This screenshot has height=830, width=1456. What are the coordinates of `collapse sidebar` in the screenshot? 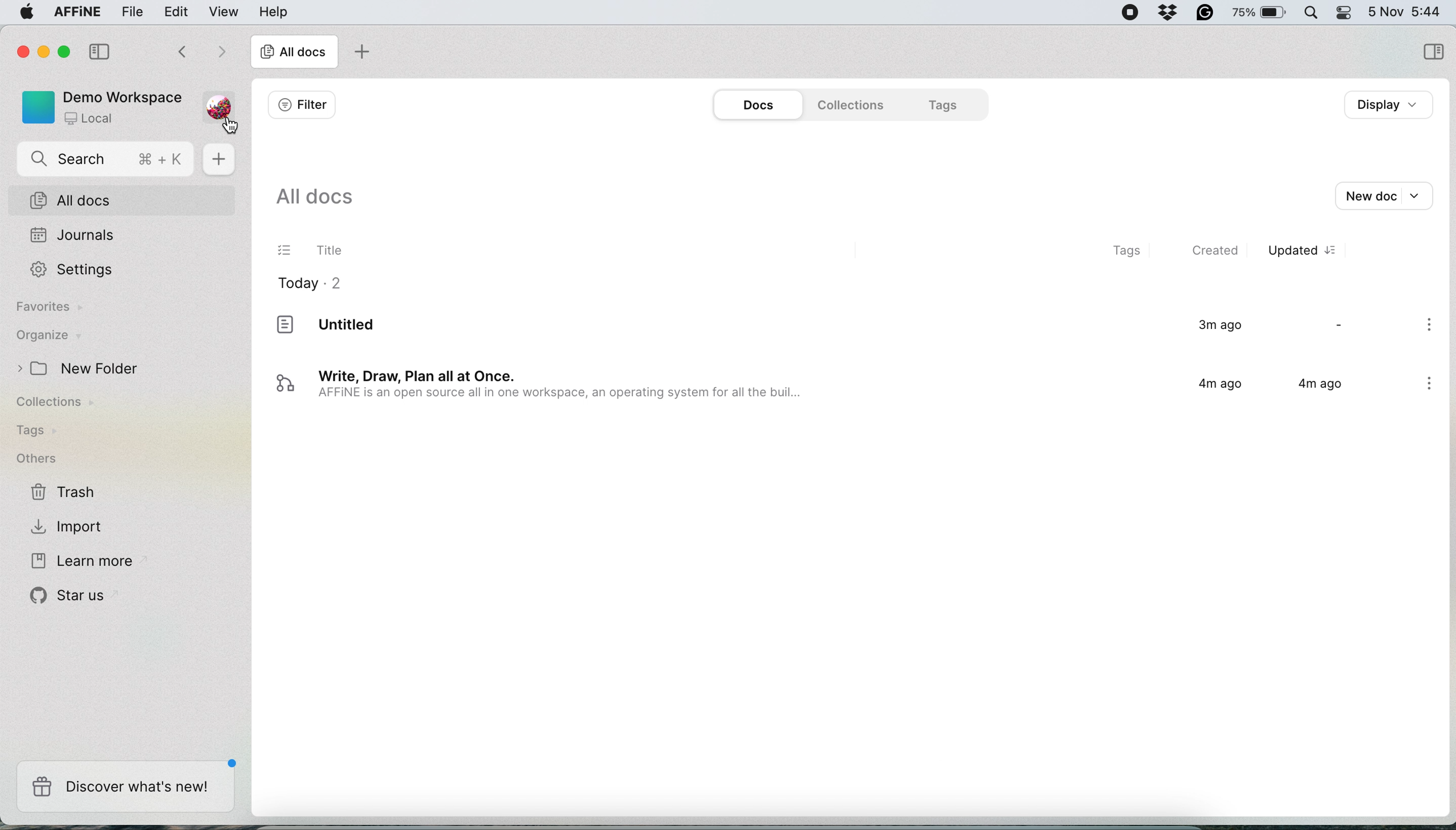 It's located at (102, 50).